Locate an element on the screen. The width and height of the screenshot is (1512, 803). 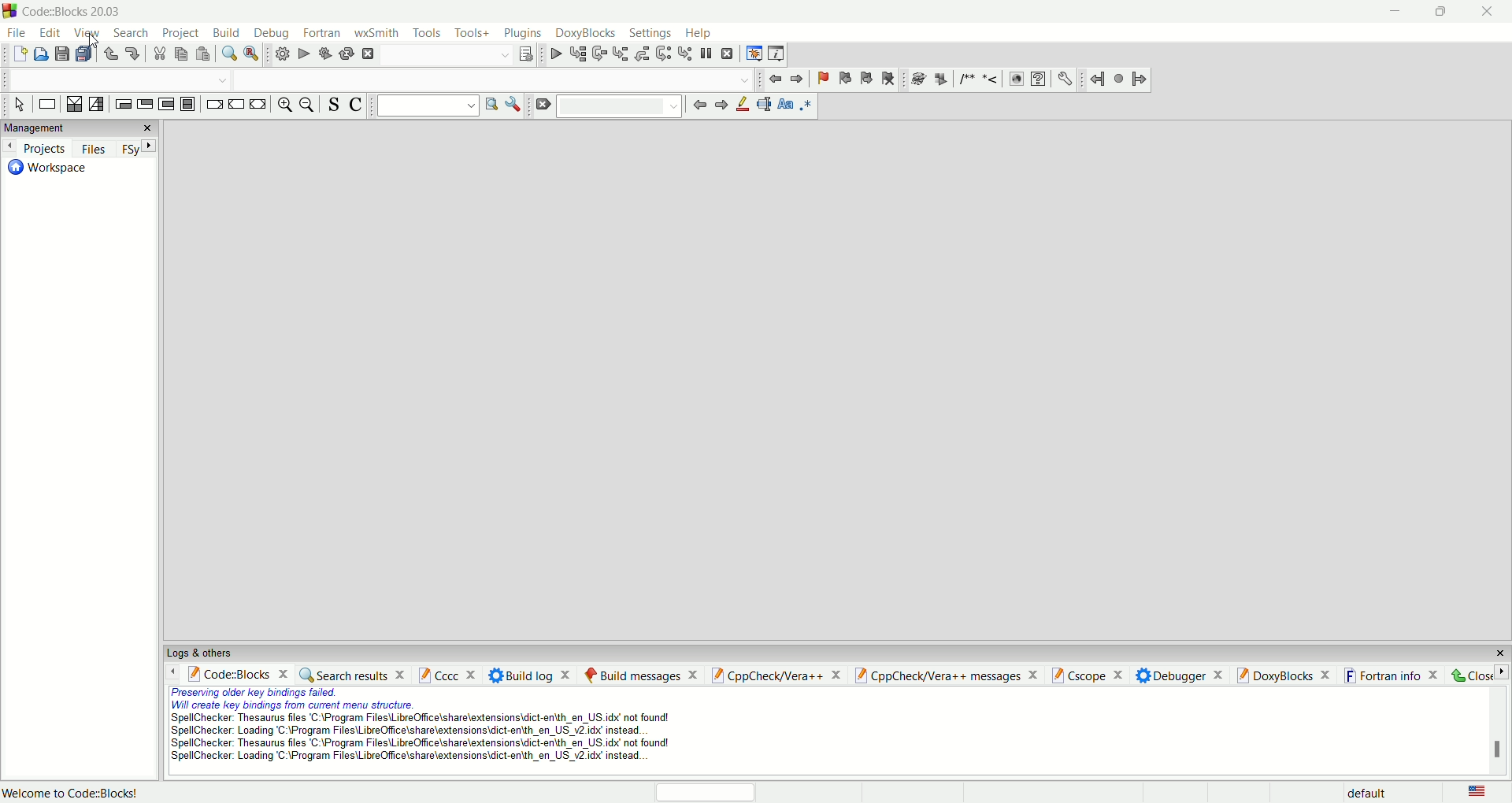
build is located at coordinates (224, 33).